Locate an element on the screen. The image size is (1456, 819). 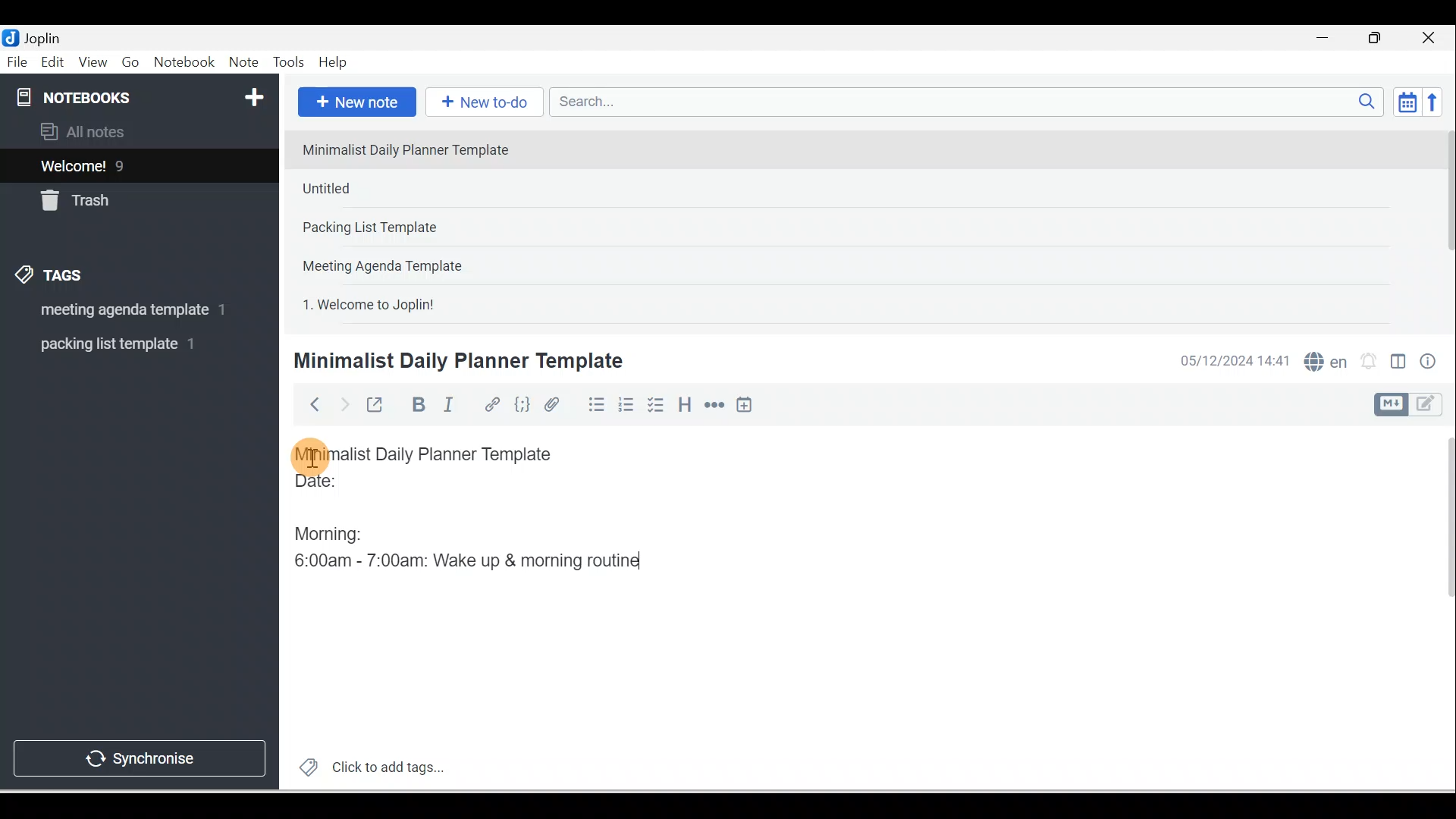
Heading is located at coordinates (684, 403).